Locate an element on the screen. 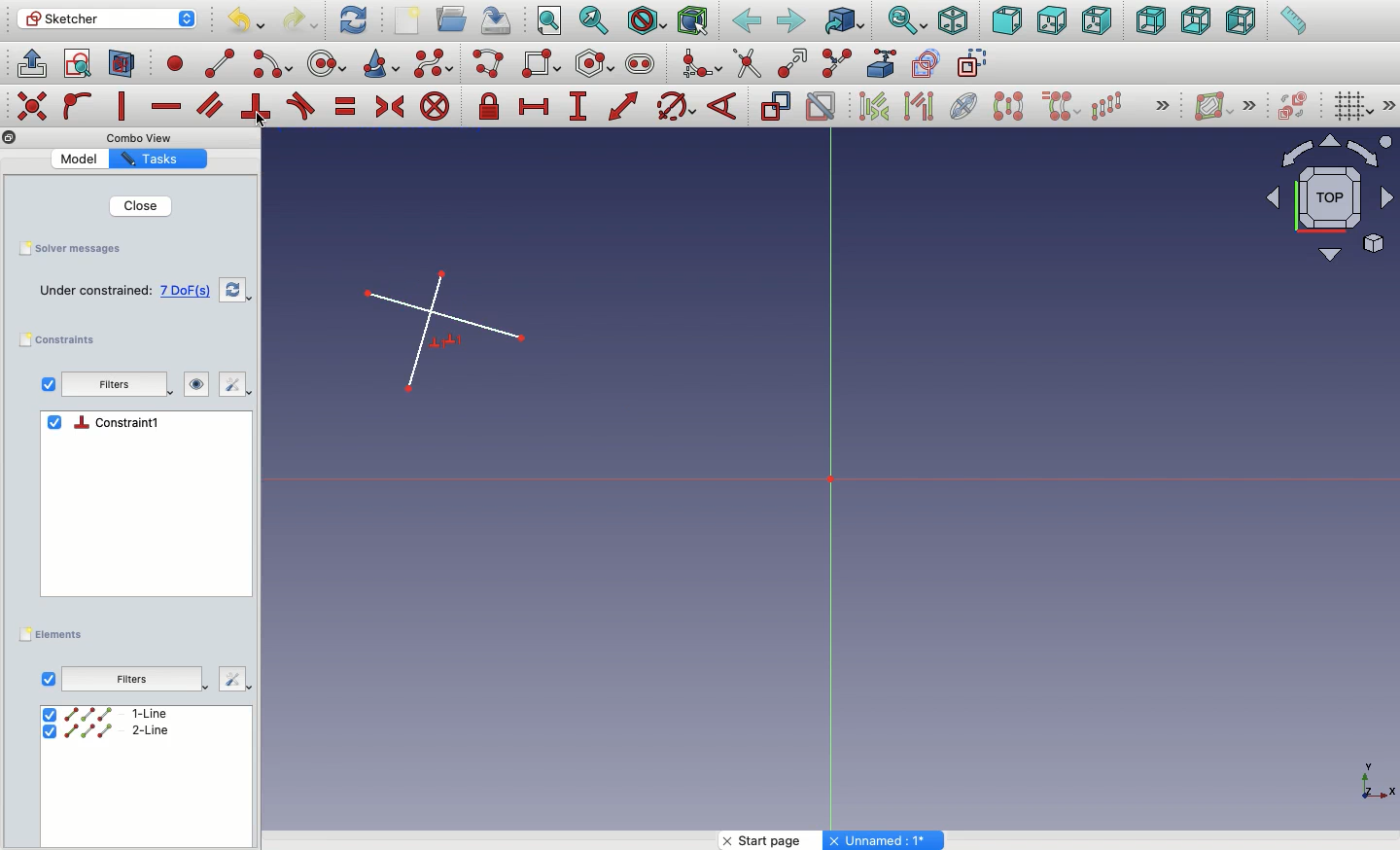 Image resolution: width=1400 pixels, height=850 pixels. Constrain parallel is located at coordinates (210, 105).